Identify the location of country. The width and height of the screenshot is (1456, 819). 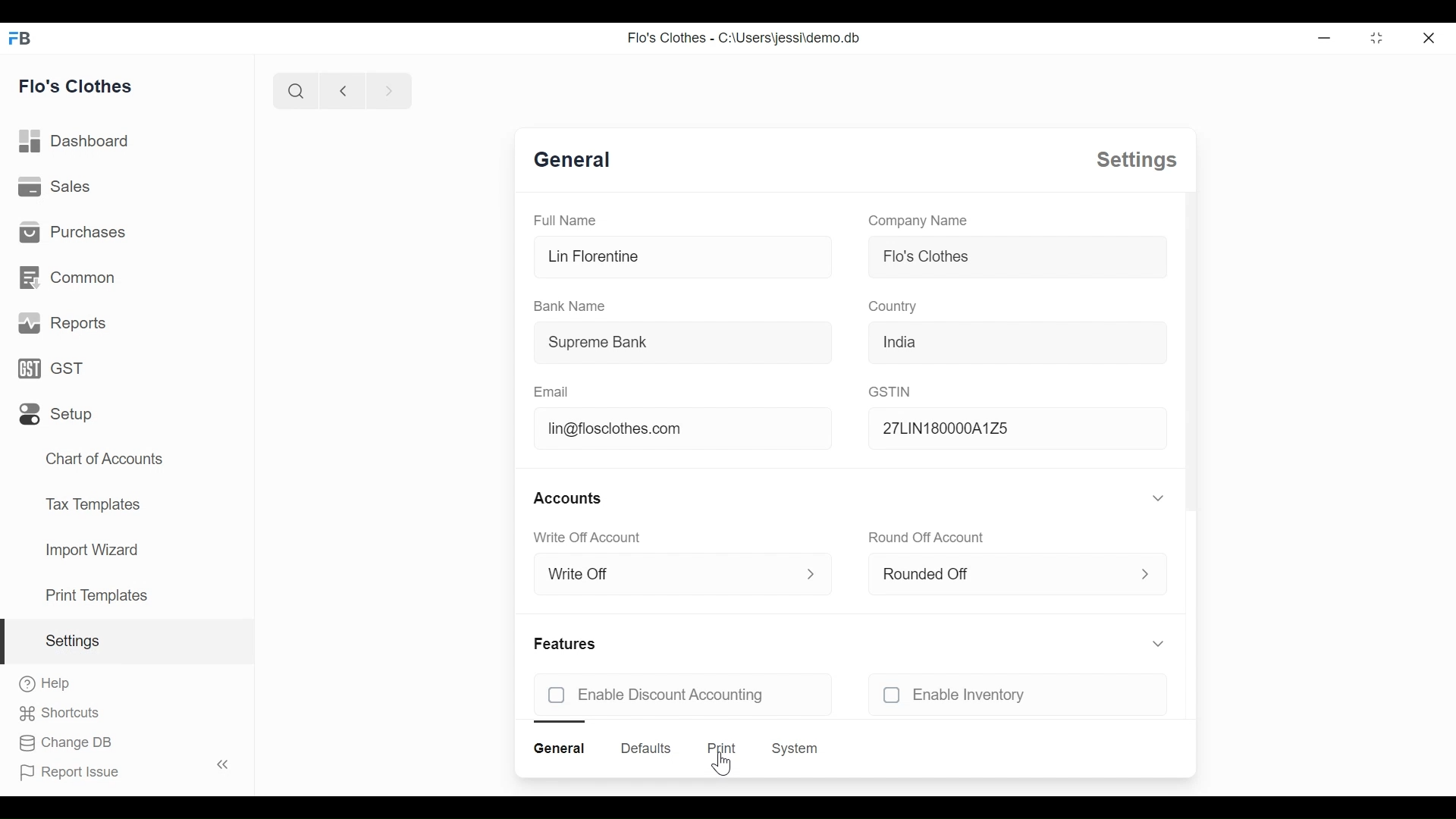
(895, 307).